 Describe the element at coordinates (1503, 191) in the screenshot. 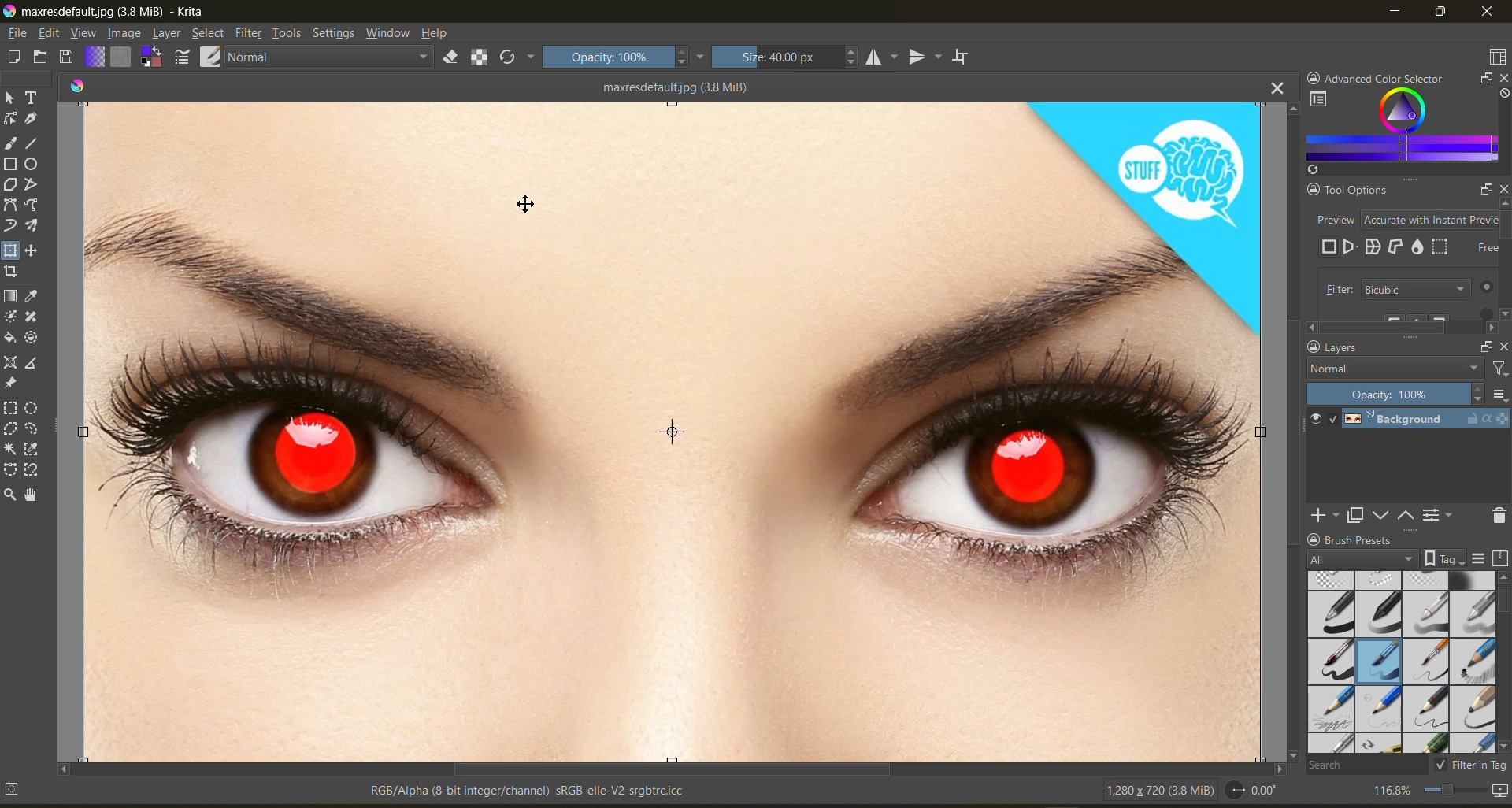

I see `close` at that location.